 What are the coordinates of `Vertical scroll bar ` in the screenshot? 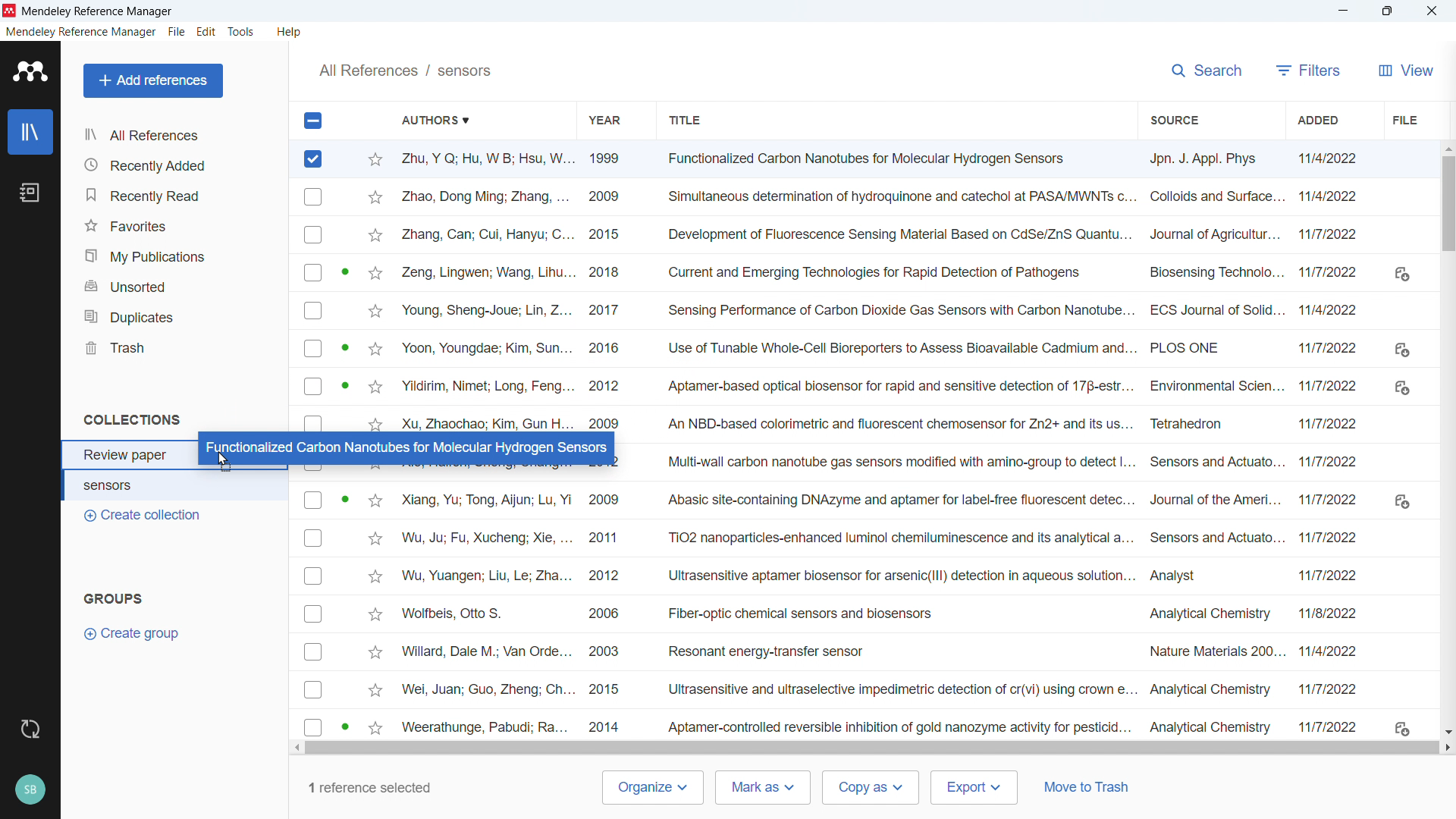 It's located at (1449, 213).